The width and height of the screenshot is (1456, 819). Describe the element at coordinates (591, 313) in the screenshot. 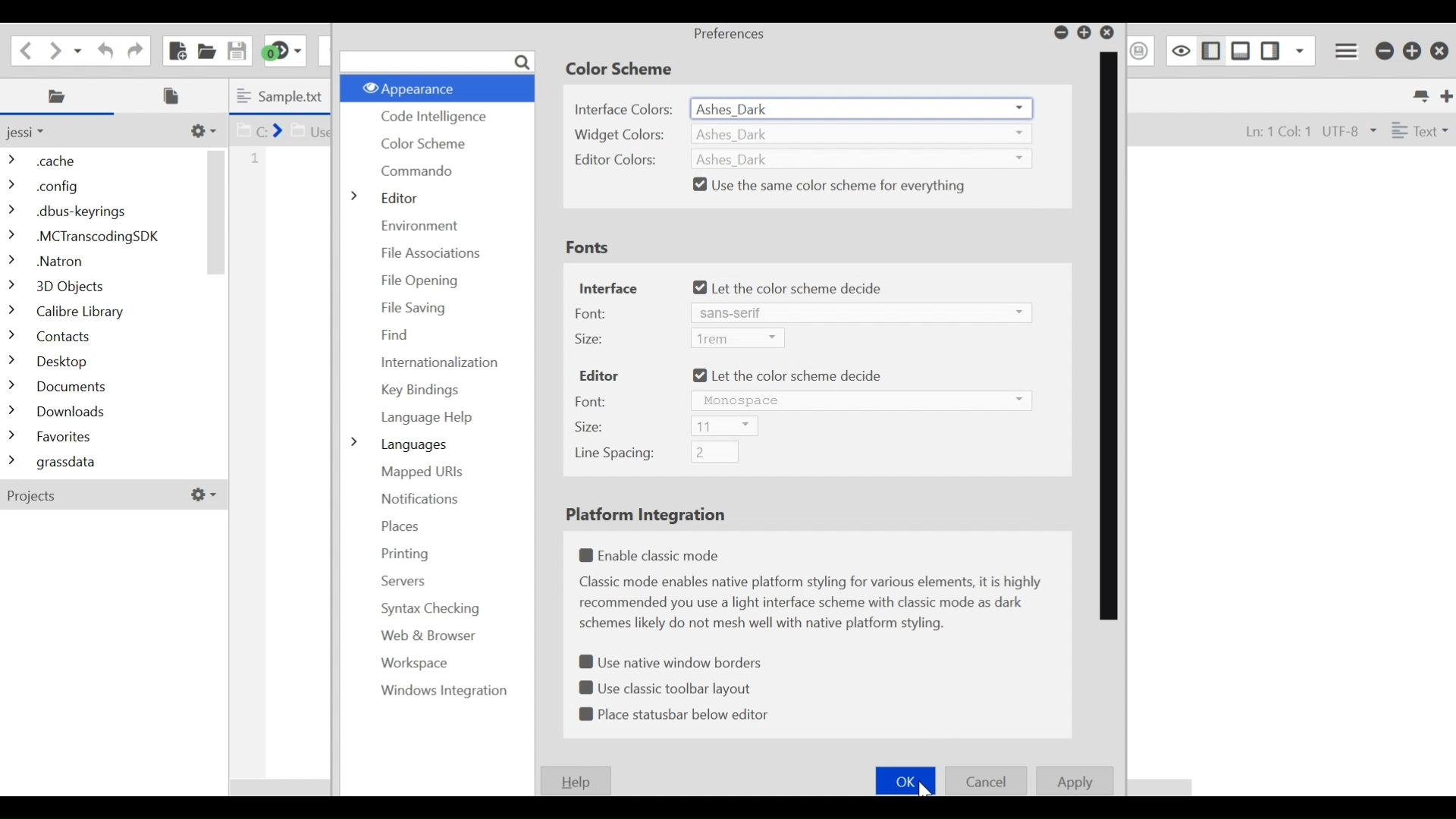

I see `Font` at that location.